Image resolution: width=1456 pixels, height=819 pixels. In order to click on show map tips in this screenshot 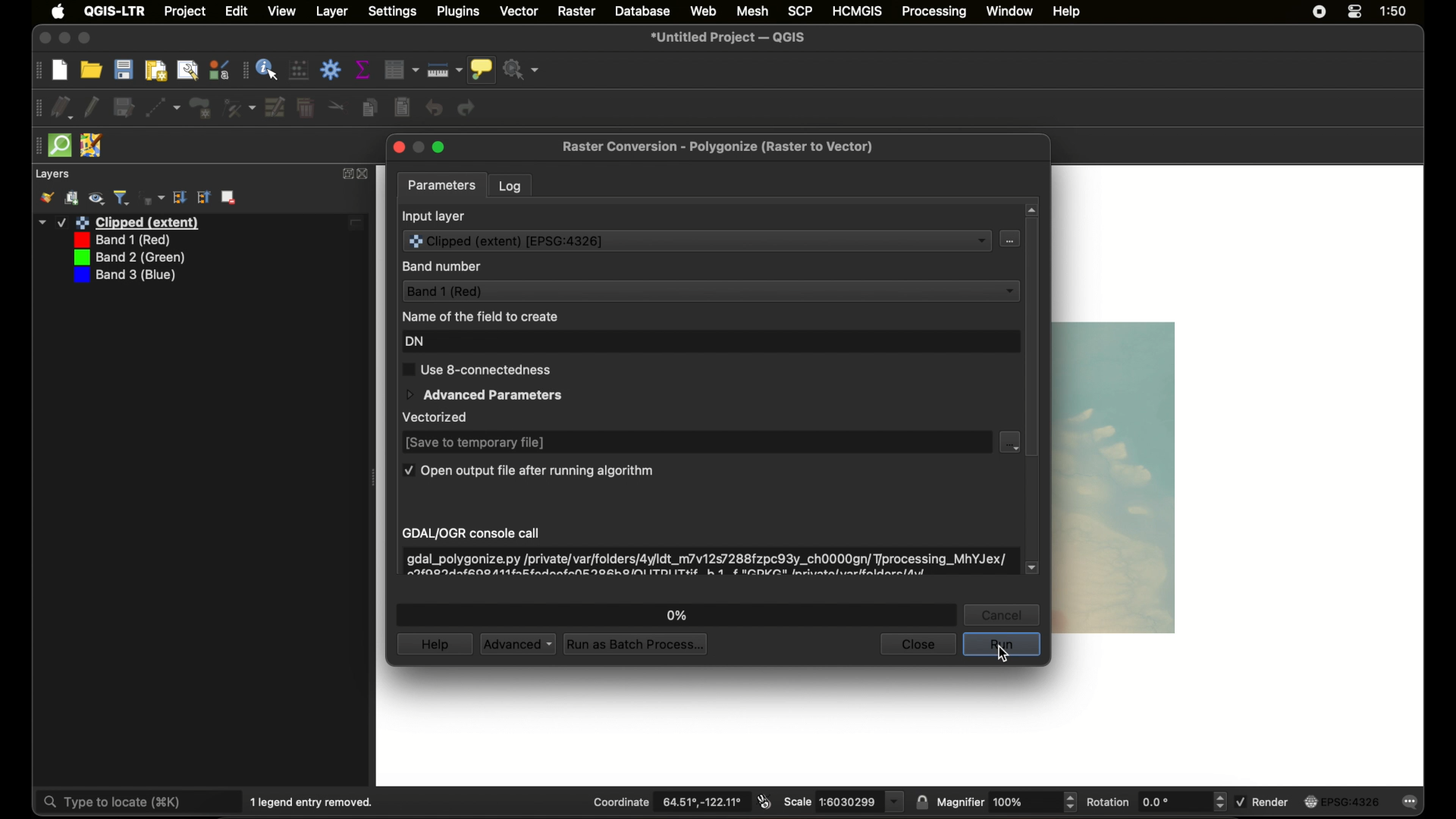, I will do `click(482, 70)`.